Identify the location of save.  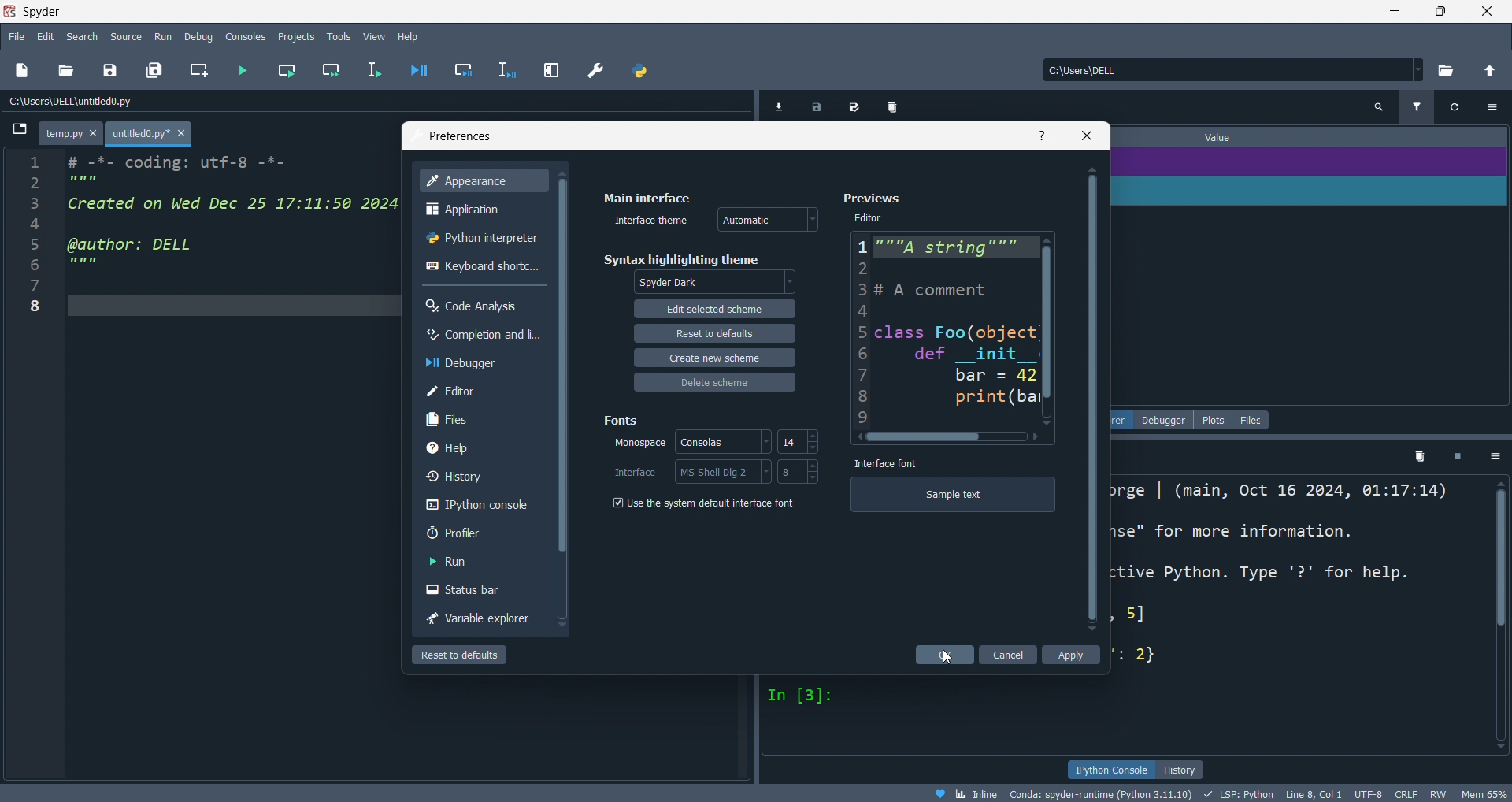
(819, 103).